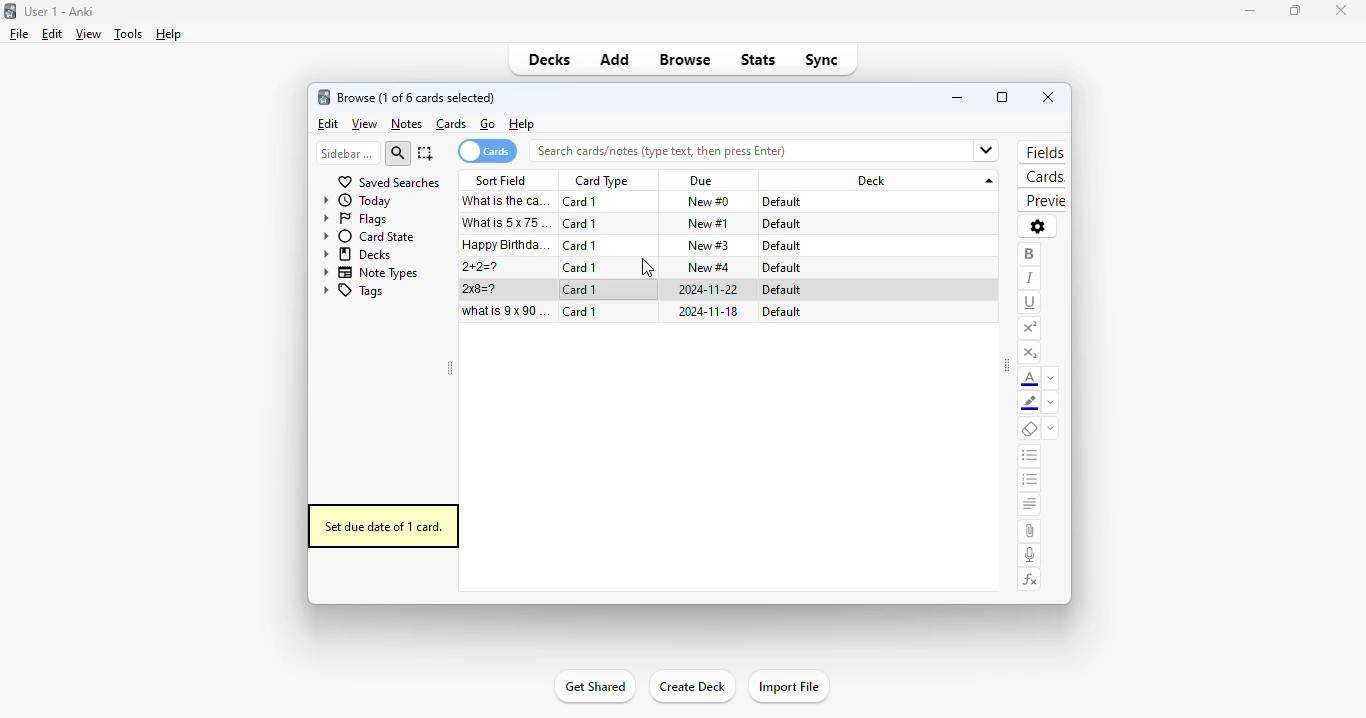 This screenshot has width=1366, height=718. Describe the element at coordinates (19, 34) in the screenshot. I see `file` at that location.